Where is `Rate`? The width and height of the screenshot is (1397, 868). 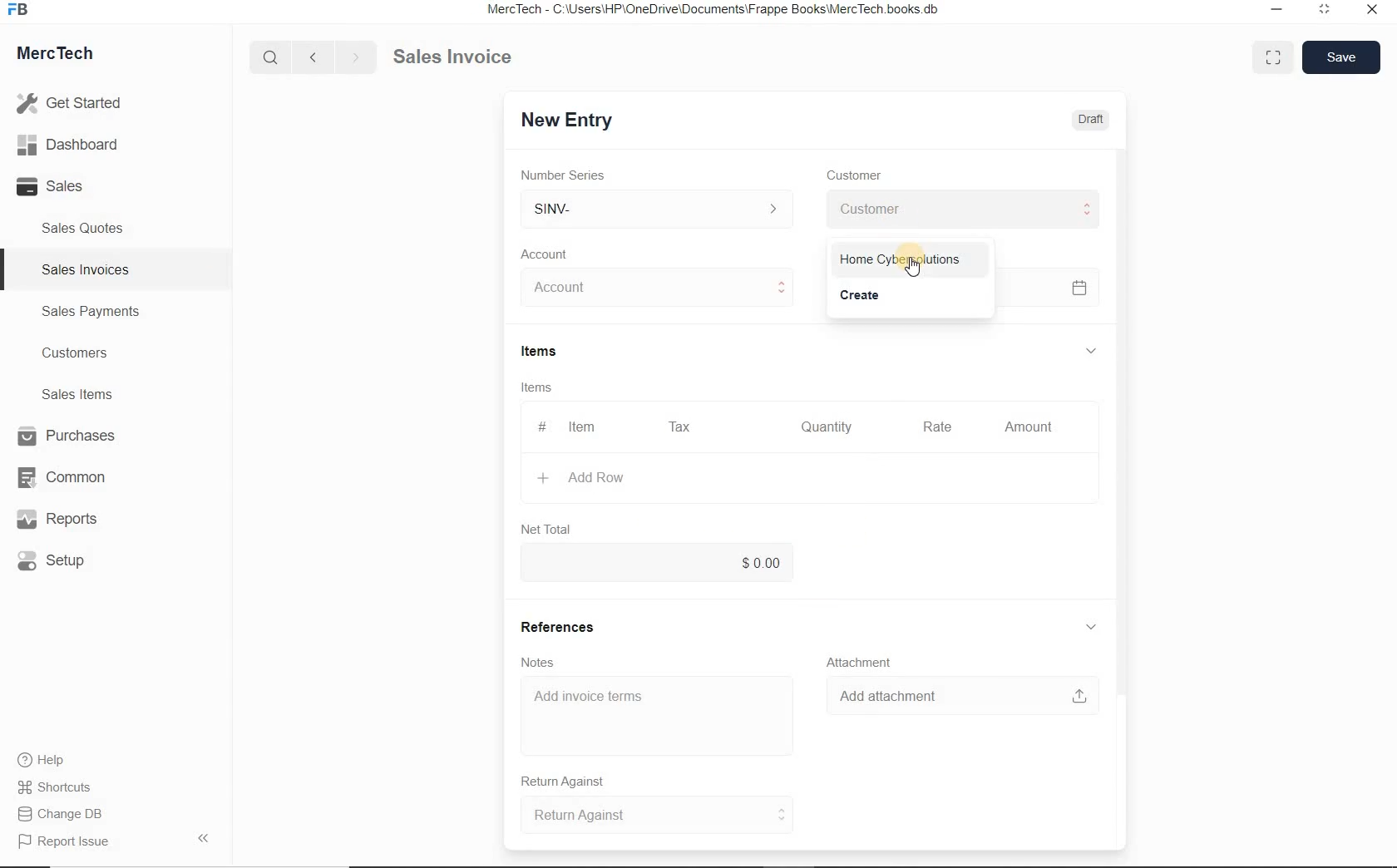
Rate is located at coordinates (935, 428).